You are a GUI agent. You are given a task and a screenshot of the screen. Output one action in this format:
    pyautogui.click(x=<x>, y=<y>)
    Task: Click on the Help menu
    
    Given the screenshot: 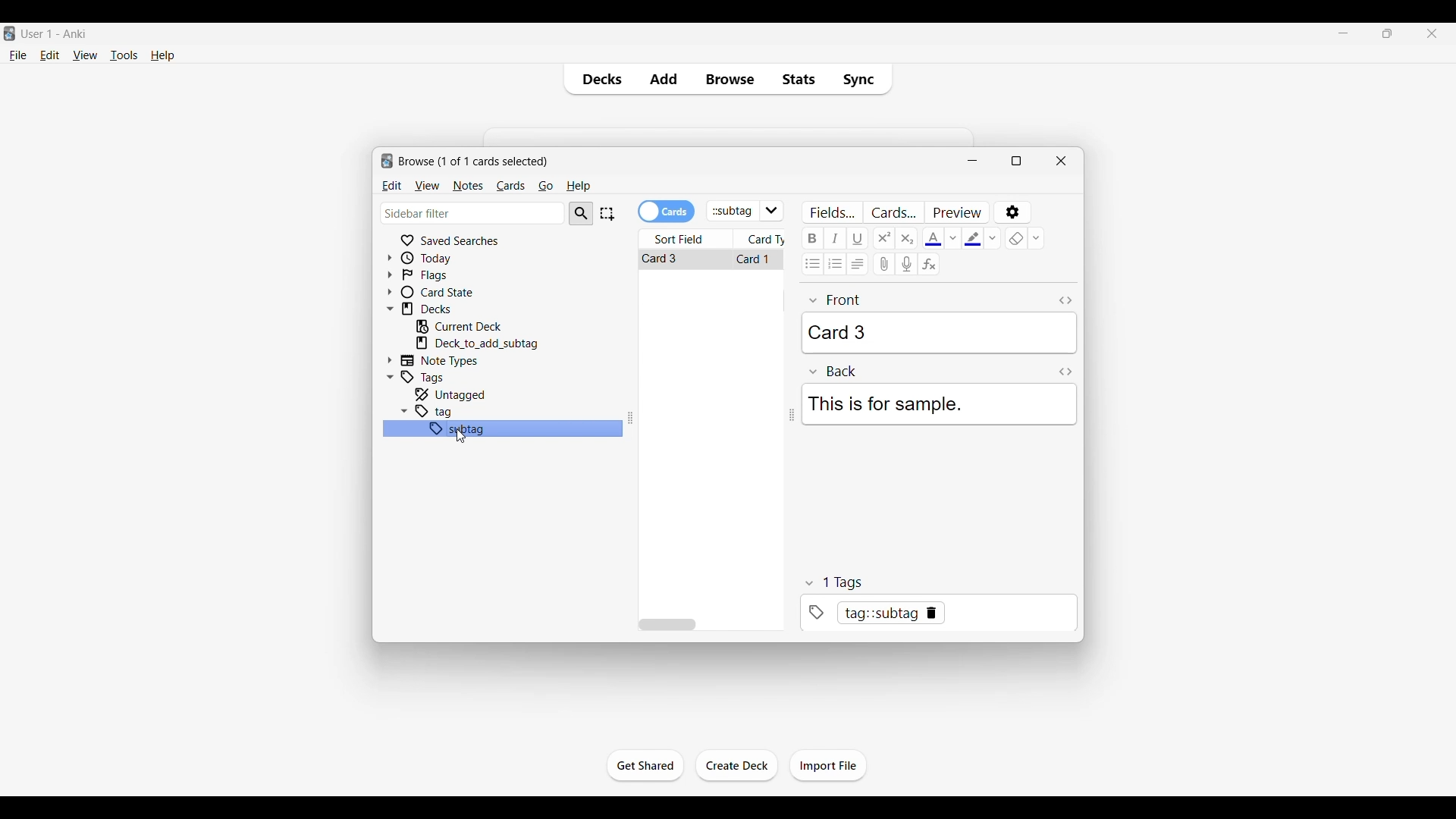 What is the action you would take?
    pyautogui.click(x=578, y=187)
    